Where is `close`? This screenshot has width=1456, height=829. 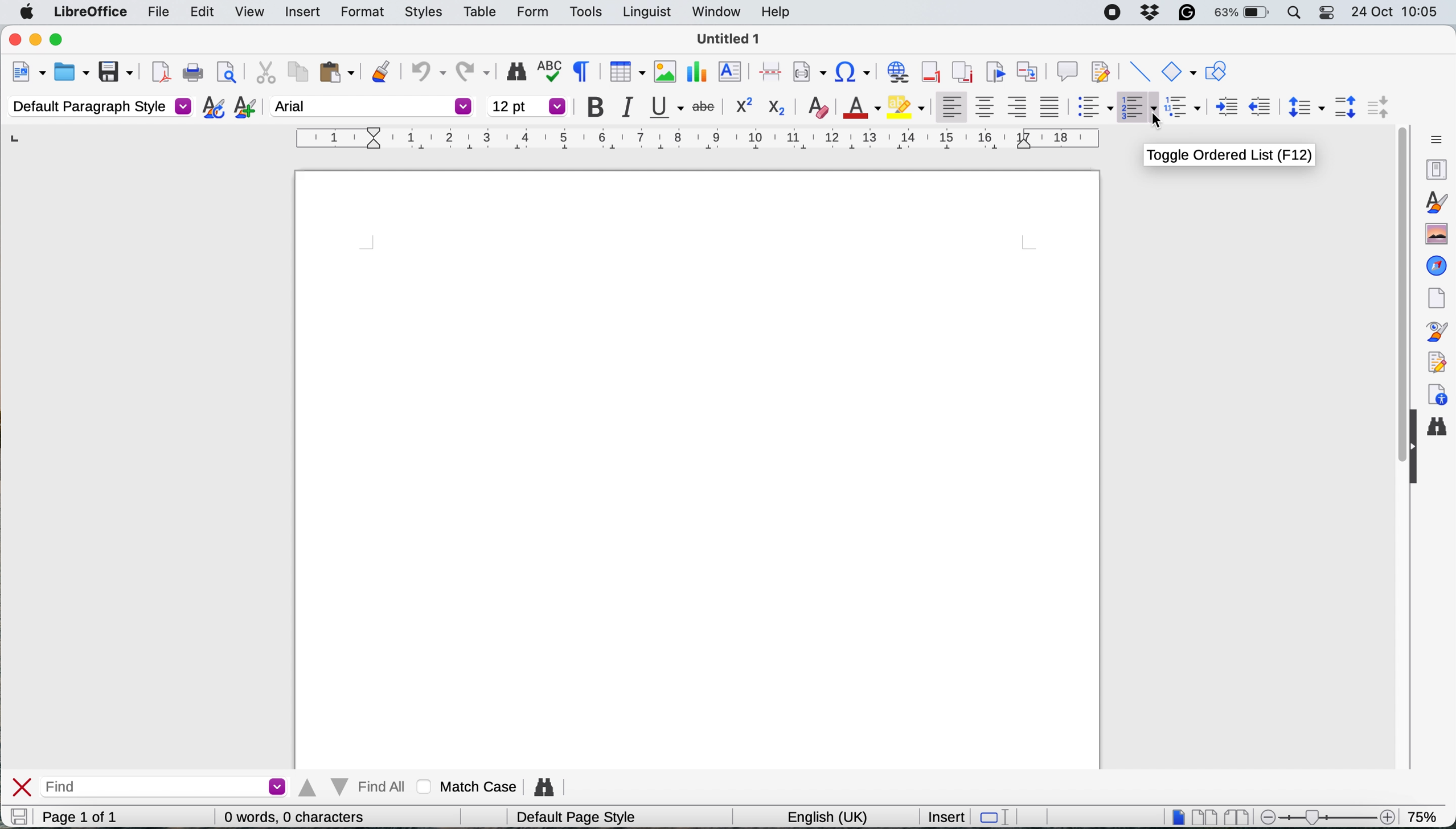
close is located at coordinates (22, 787).